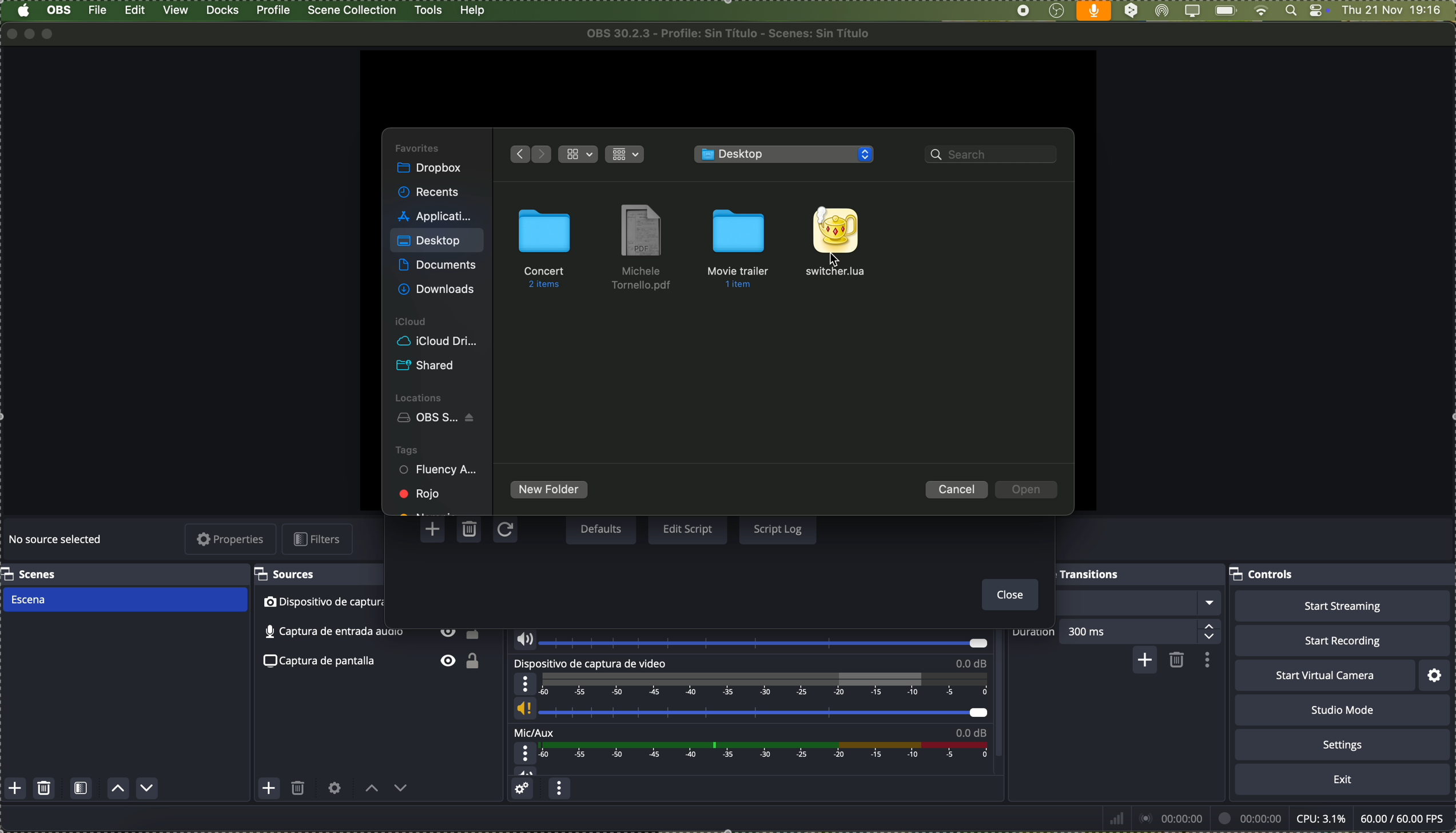 This screenshot has width=1456, height=833. Describe the element at coordinates (1342, 606) in the screenshot. I see `start streaming` at that location.